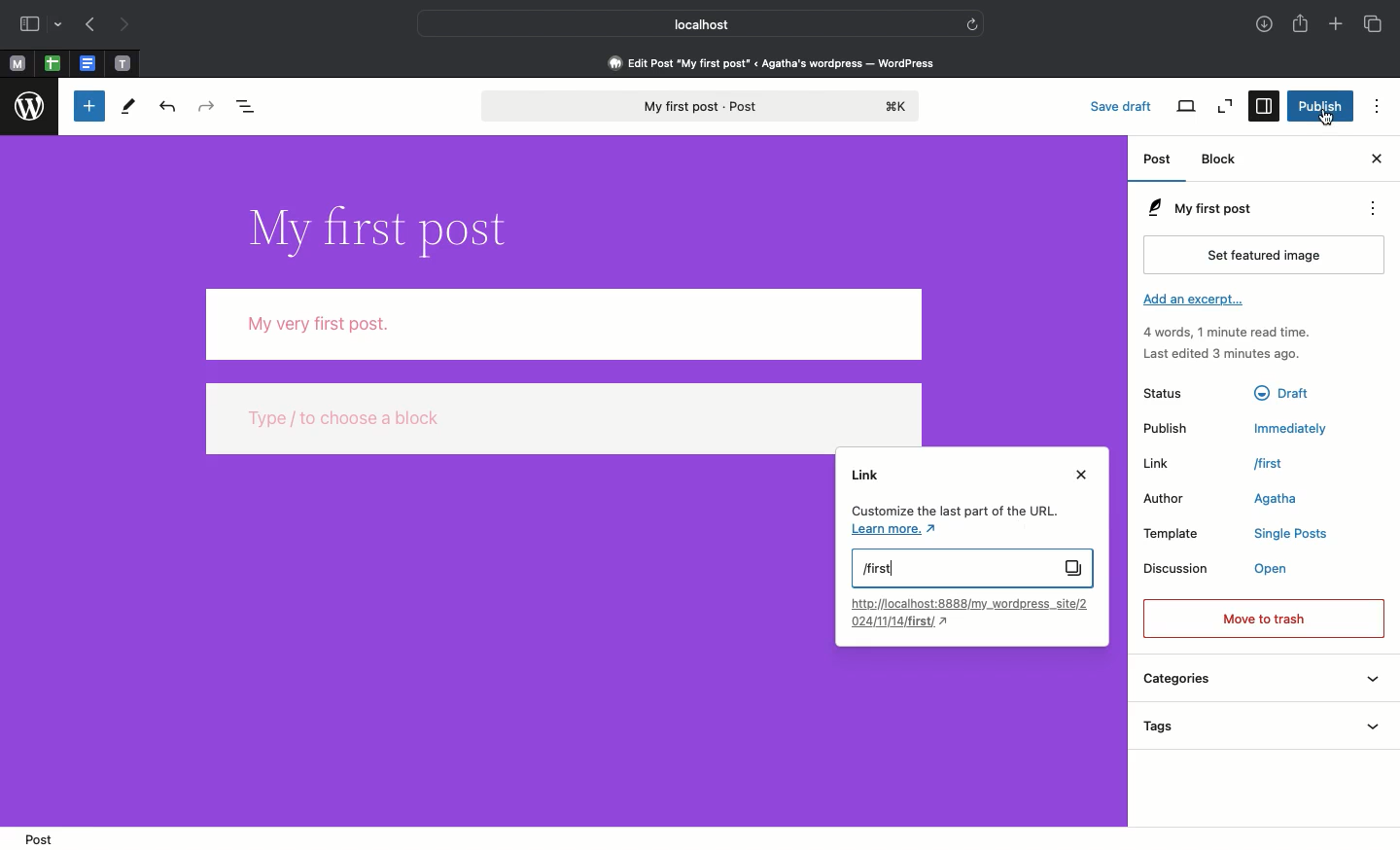 The image size is (1400, 850). Describe the element at coordinates (28, 107) in the screenshot. I see `Wordpress` at that location.